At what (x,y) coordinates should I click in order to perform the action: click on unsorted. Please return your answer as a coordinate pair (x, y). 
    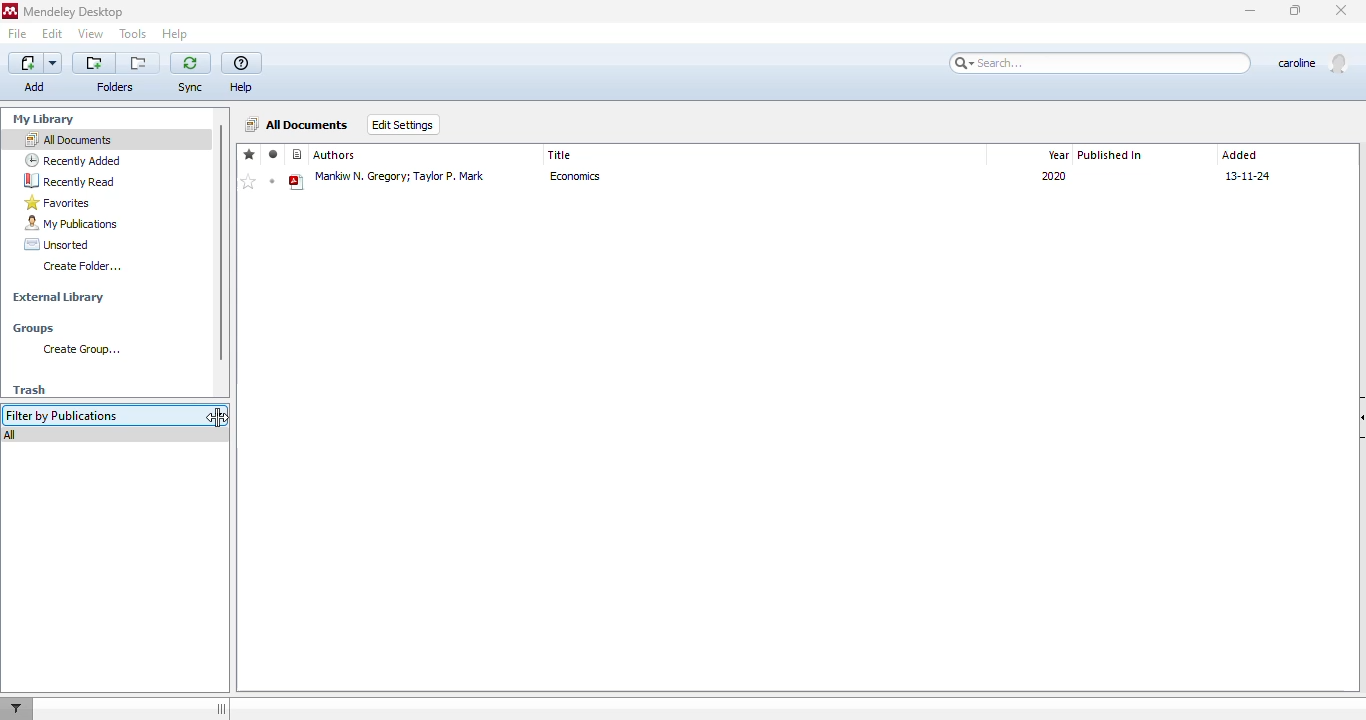
    Looking at the image, I should click on (57, 244).